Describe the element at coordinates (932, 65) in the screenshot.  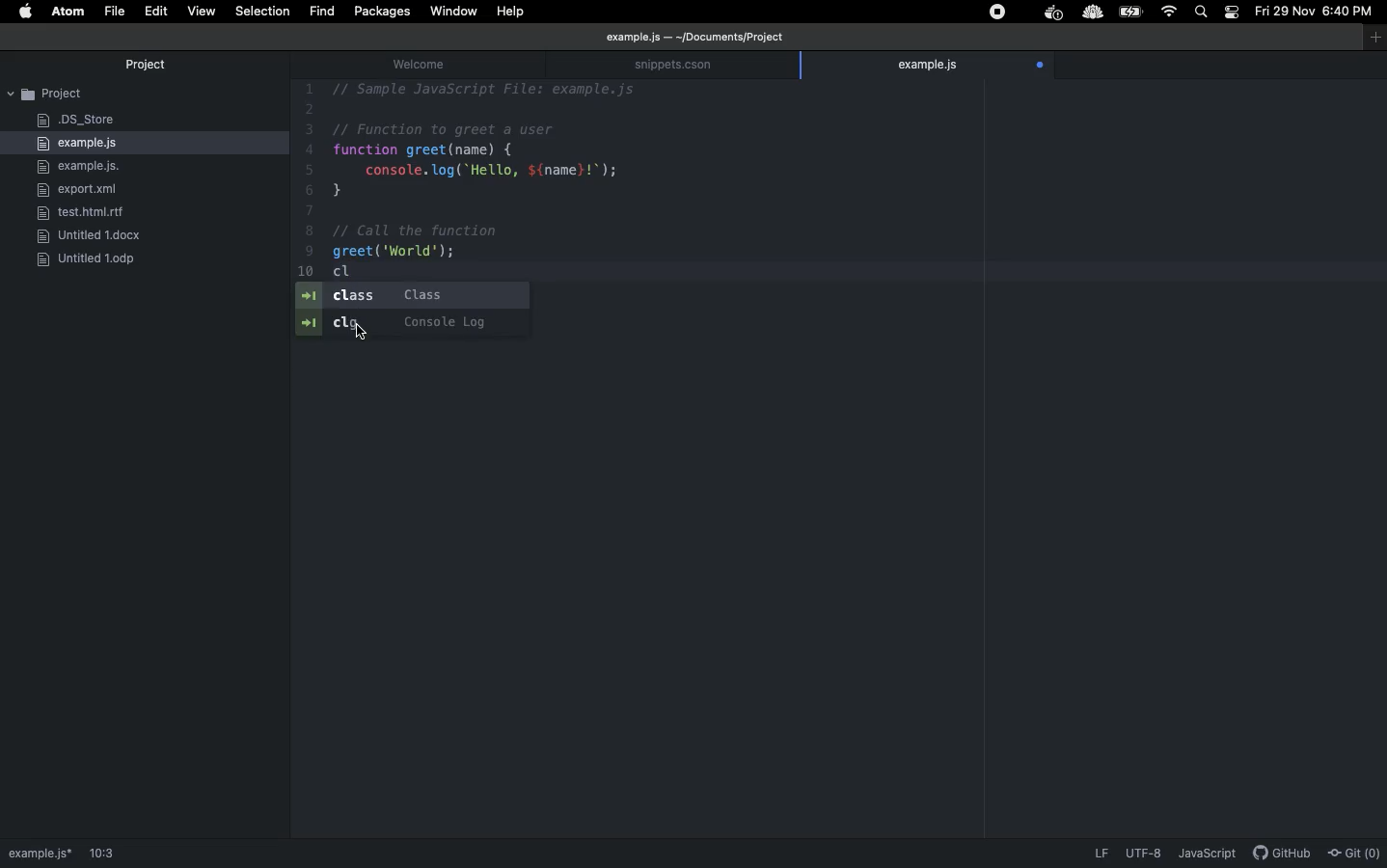
I see `example.js` at that location.